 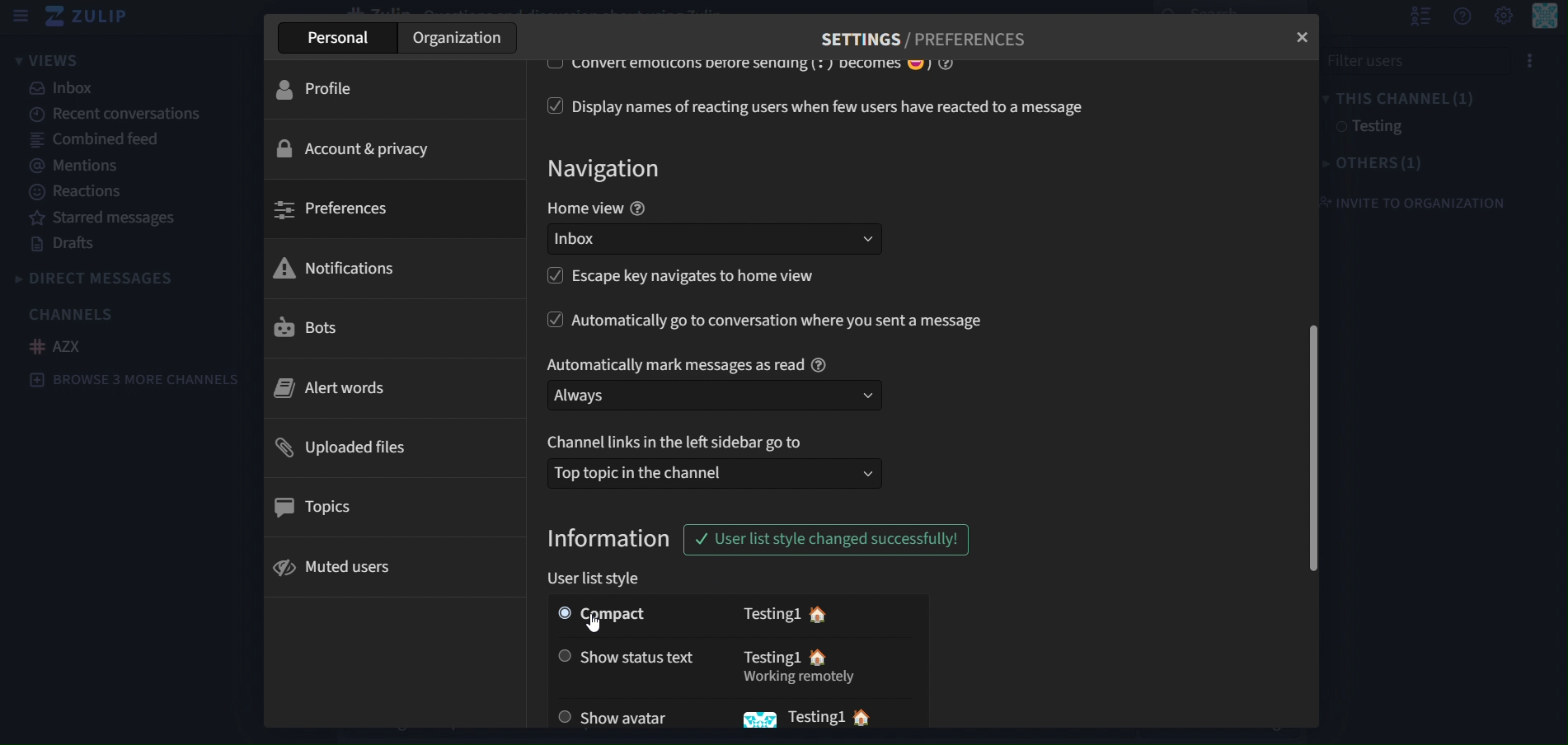 What do you see at coordinates (107, 277) in the screenshot?
I see `direct messages` at bounding box center [107, 277].